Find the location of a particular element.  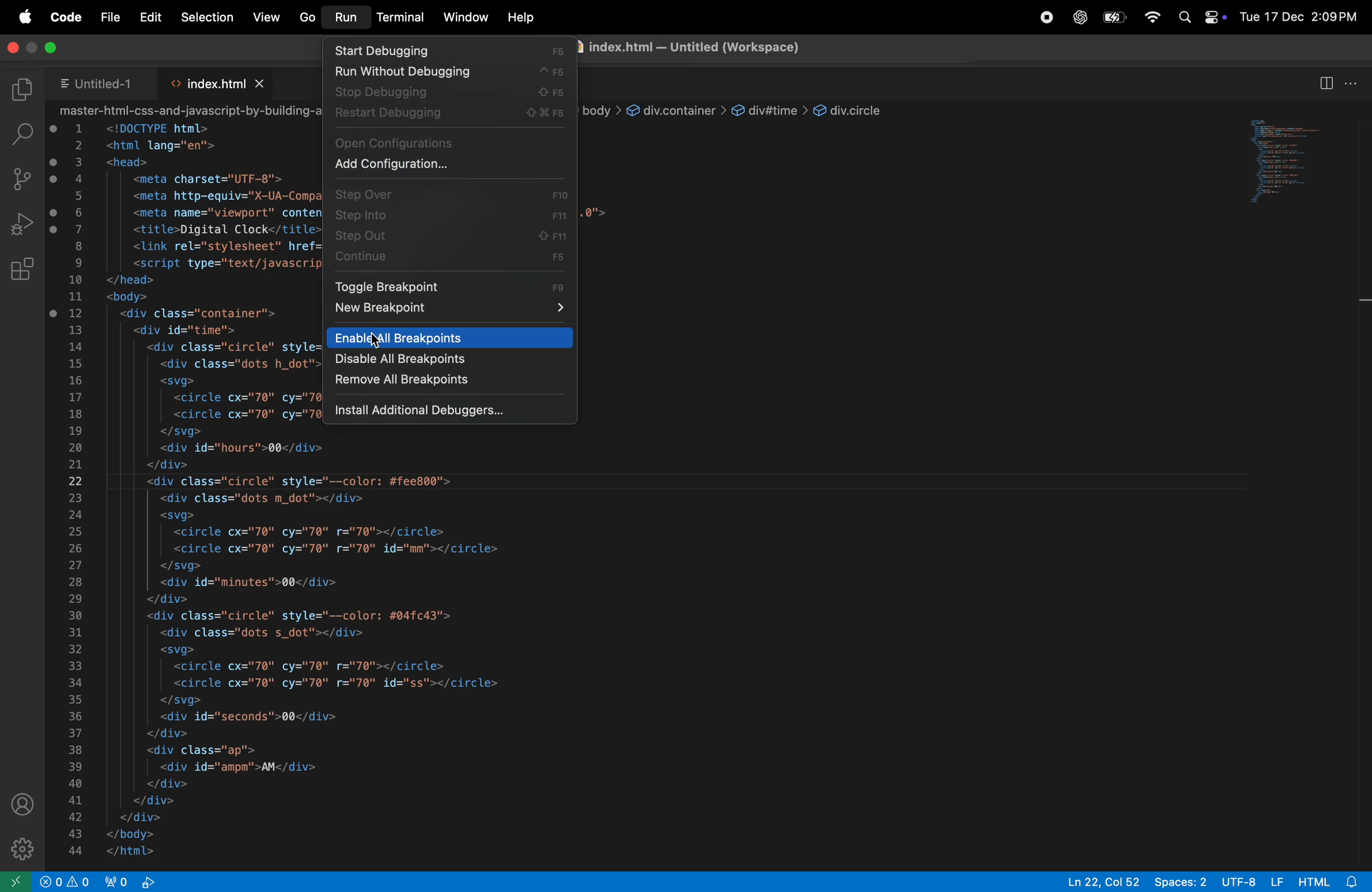

apple widgets is located at coordinates (1213, 17).